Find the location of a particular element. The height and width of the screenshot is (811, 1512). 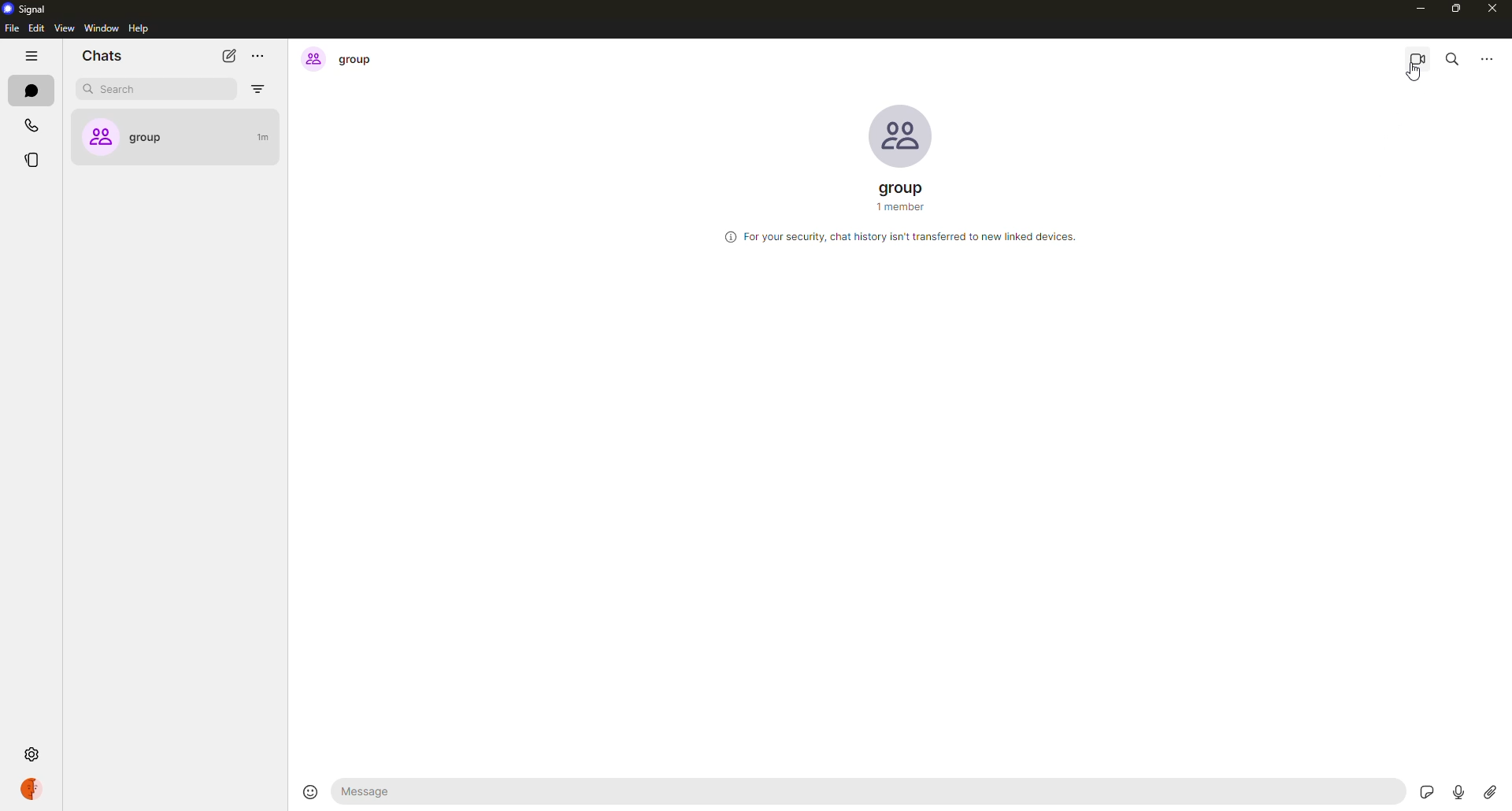

attach is located at coordinates (1488, 791).